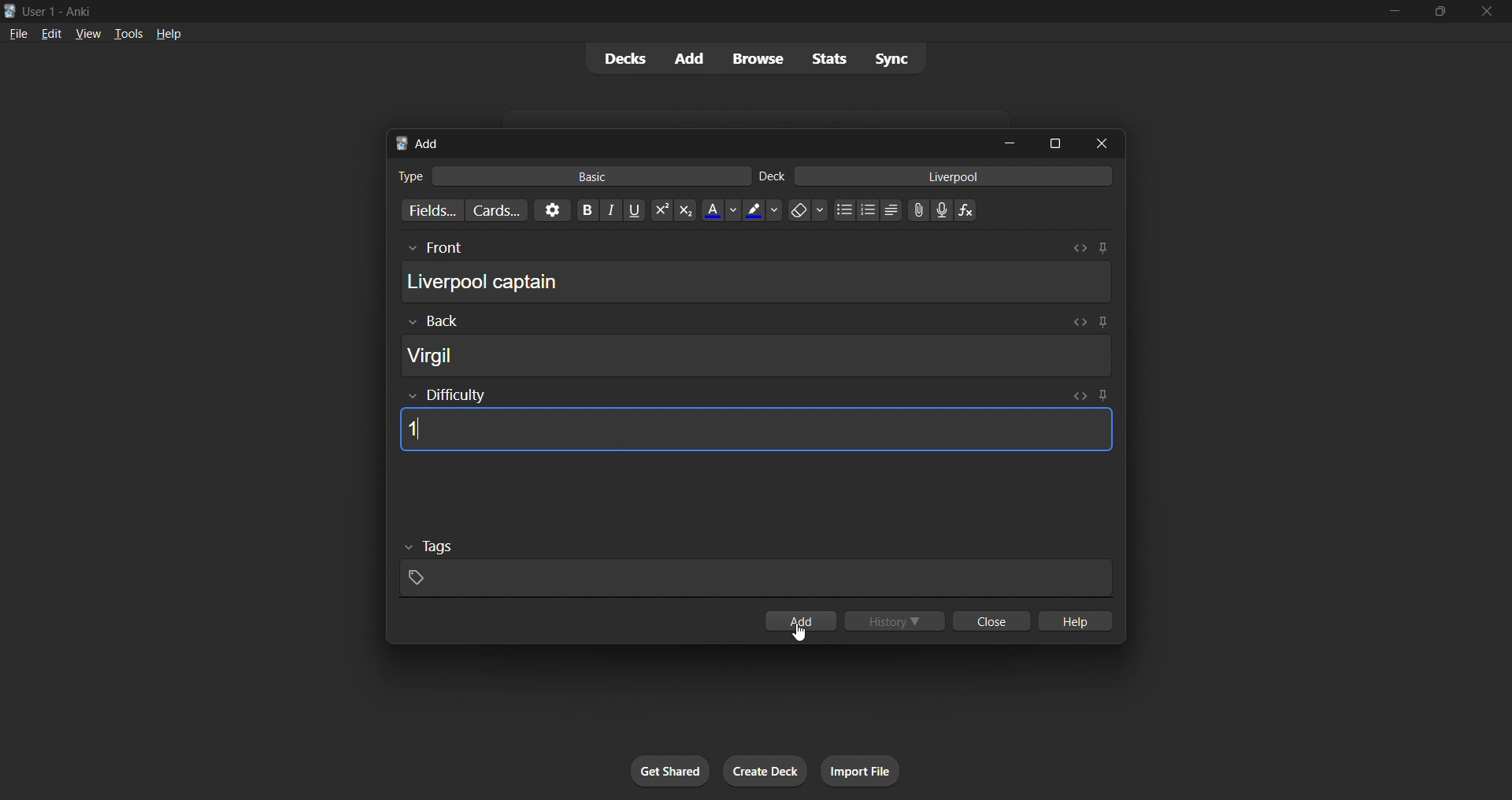  I want to click on minimize, so click(1010, 143).